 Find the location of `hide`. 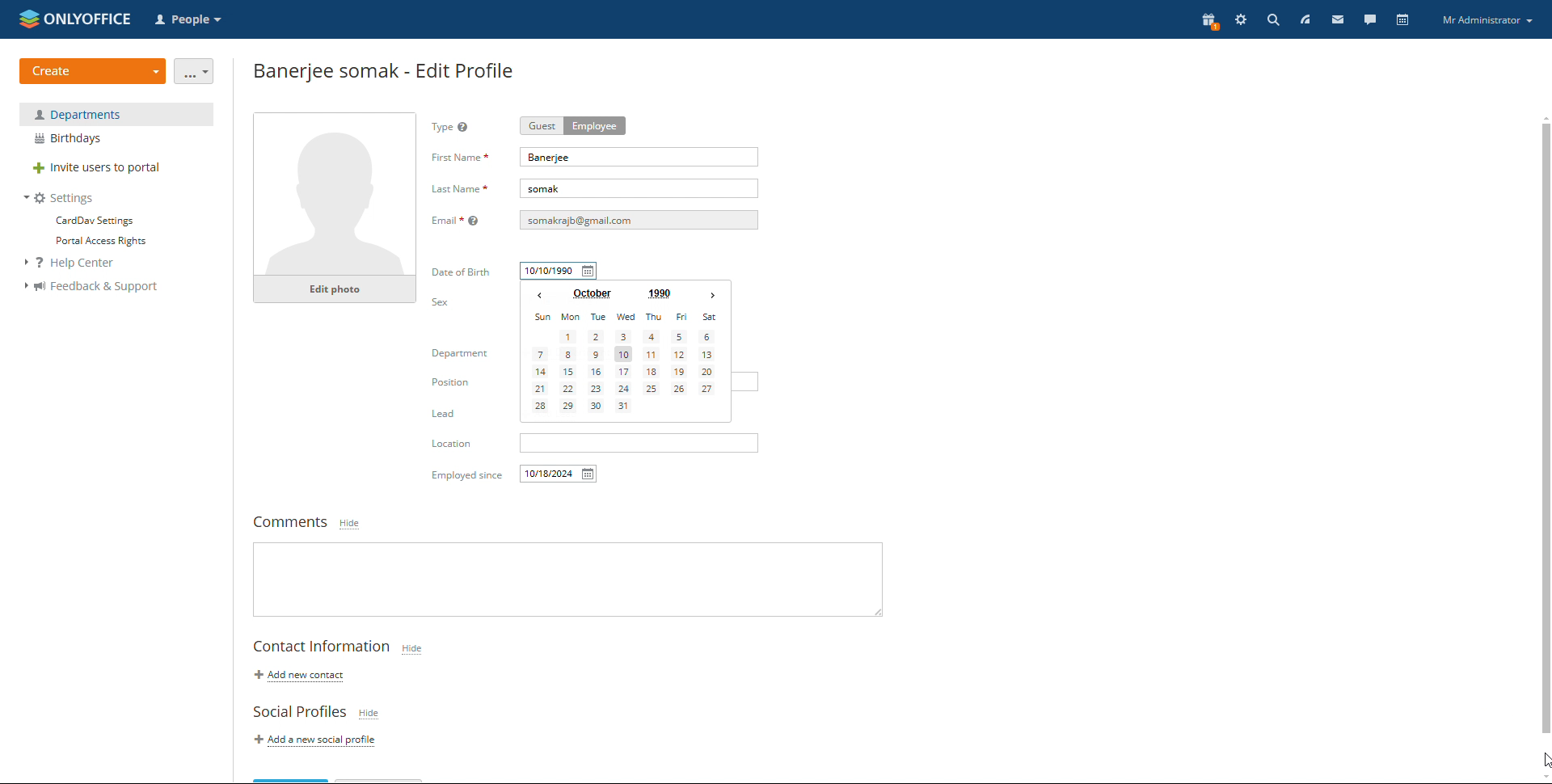

hide is located at coordinates (369, 714).